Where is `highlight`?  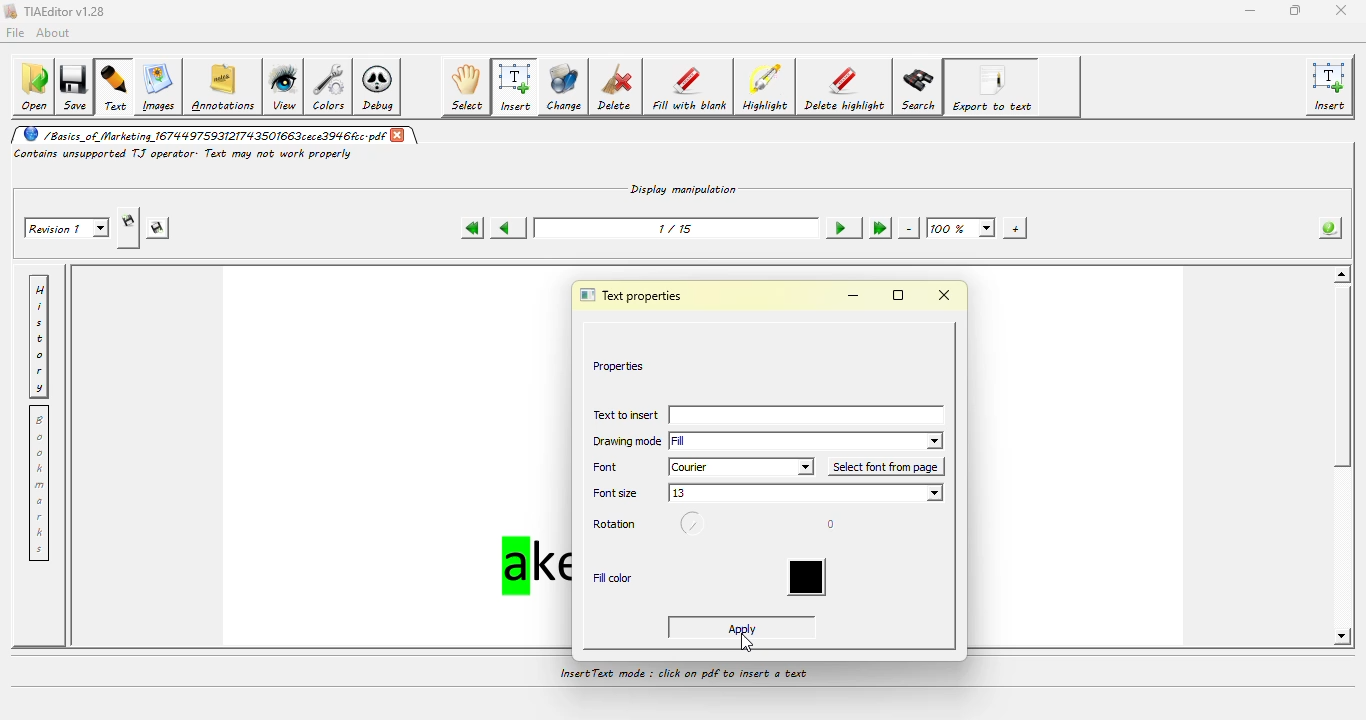 highlight is located at coordinates (767, 88).